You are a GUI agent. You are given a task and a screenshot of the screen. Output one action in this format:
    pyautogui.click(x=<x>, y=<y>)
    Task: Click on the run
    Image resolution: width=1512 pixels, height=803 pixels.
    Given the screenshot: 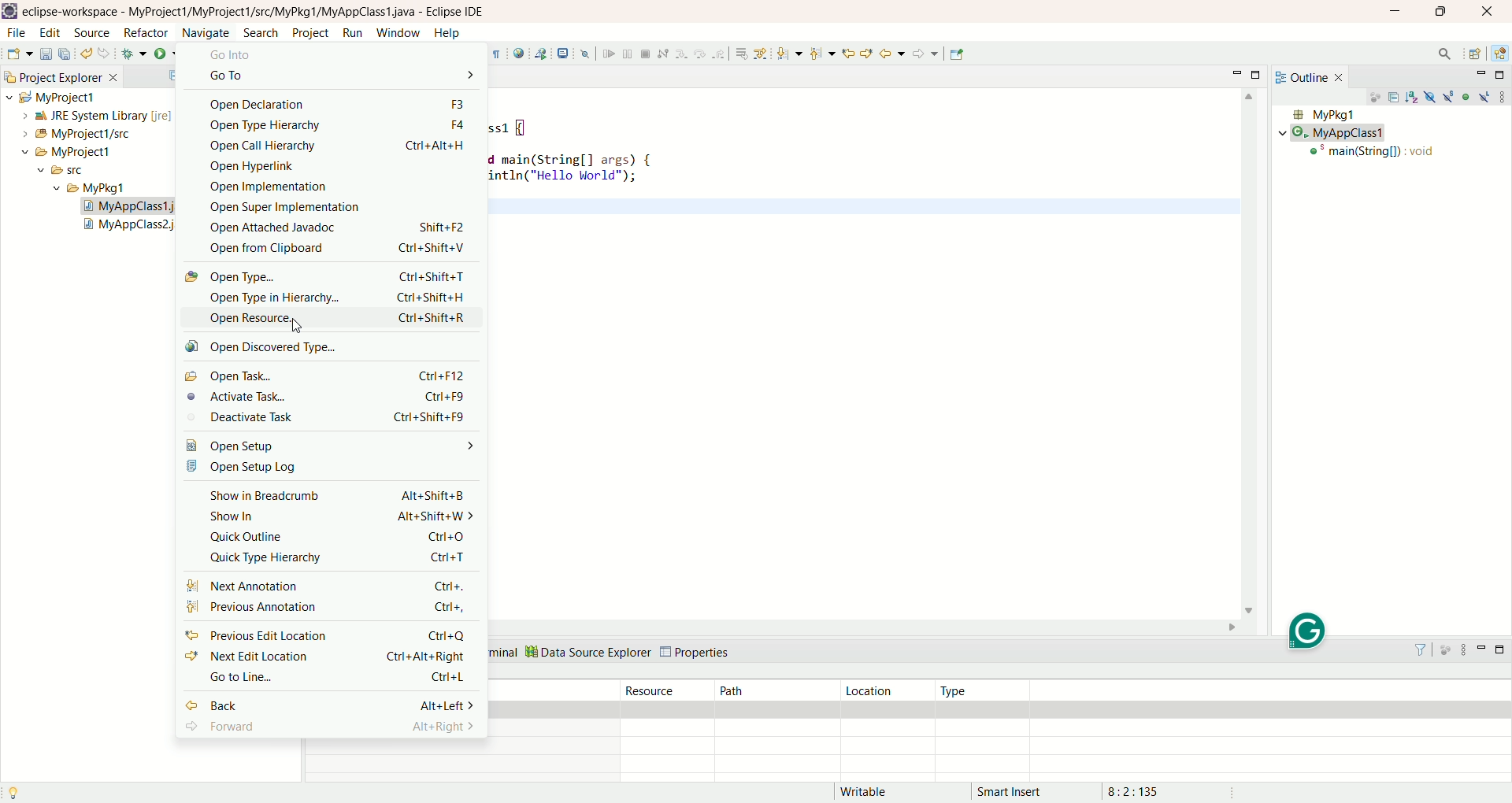 What is the action you would take?
    pyautogui.click(x=353, y=33)
    